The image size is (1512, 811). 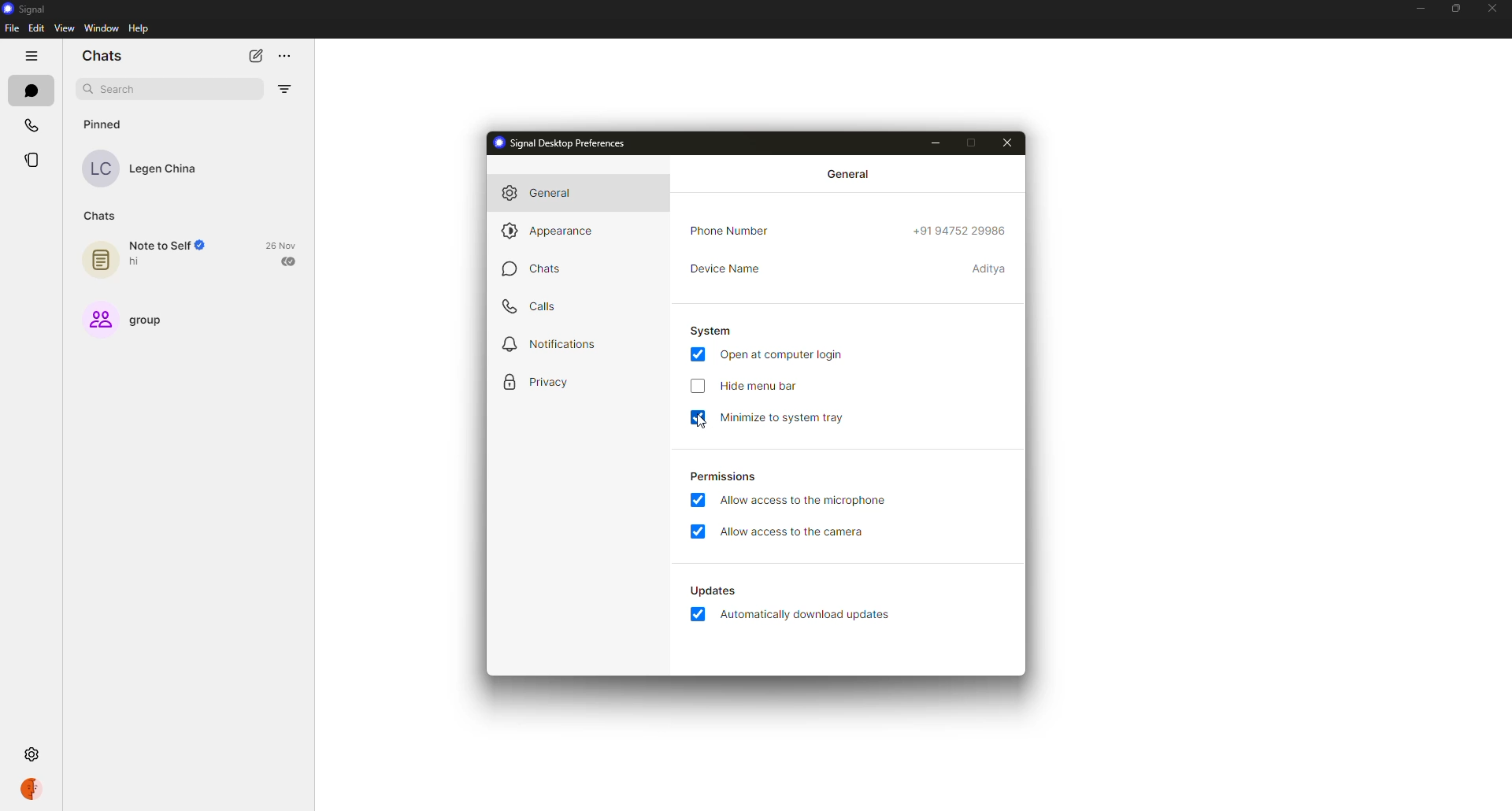 I want to click on note to self, so click(x=153, y=255).